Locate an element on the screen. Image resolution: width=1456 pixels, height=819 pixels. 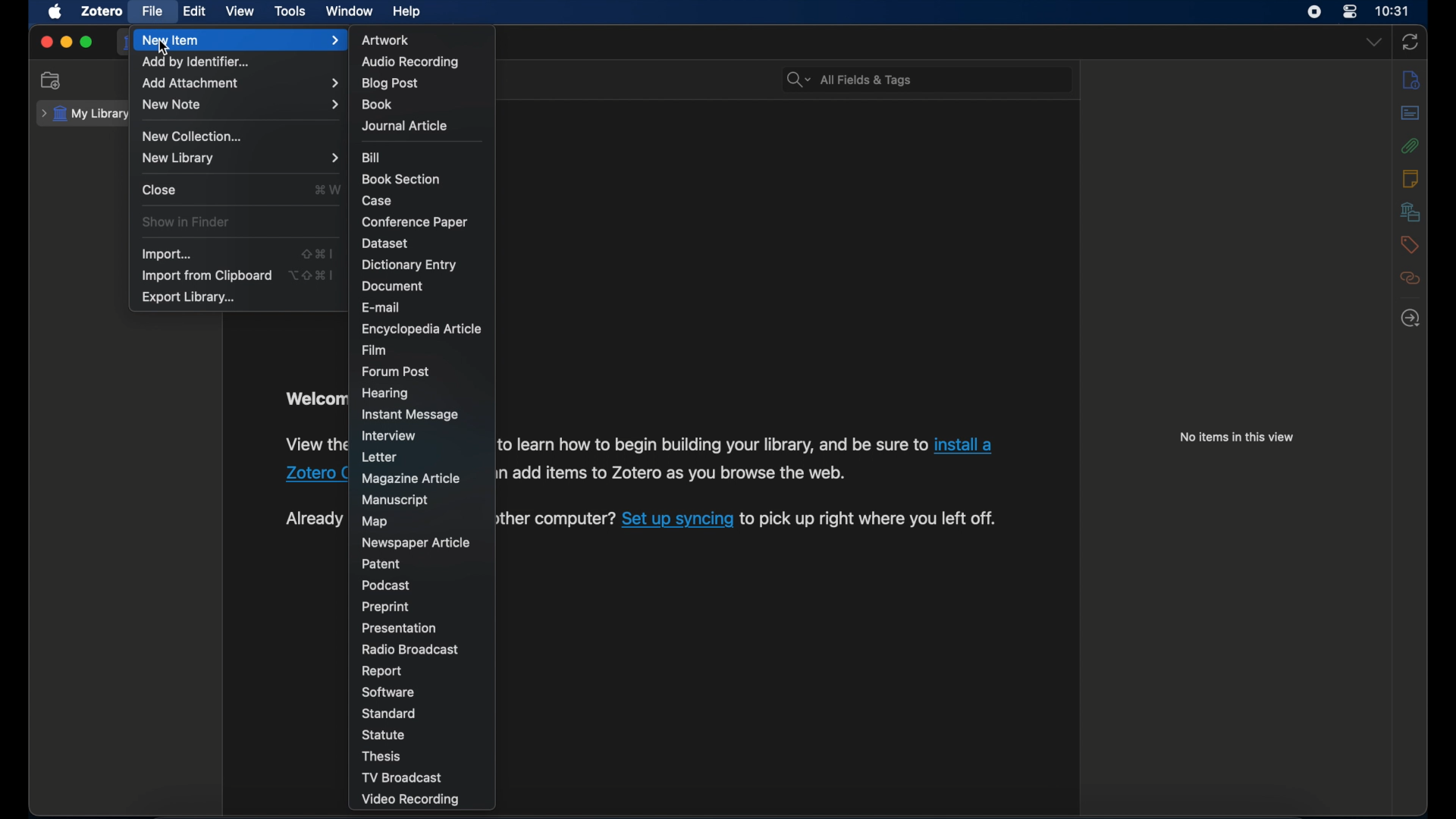
text is located at coordinates (676, 475).